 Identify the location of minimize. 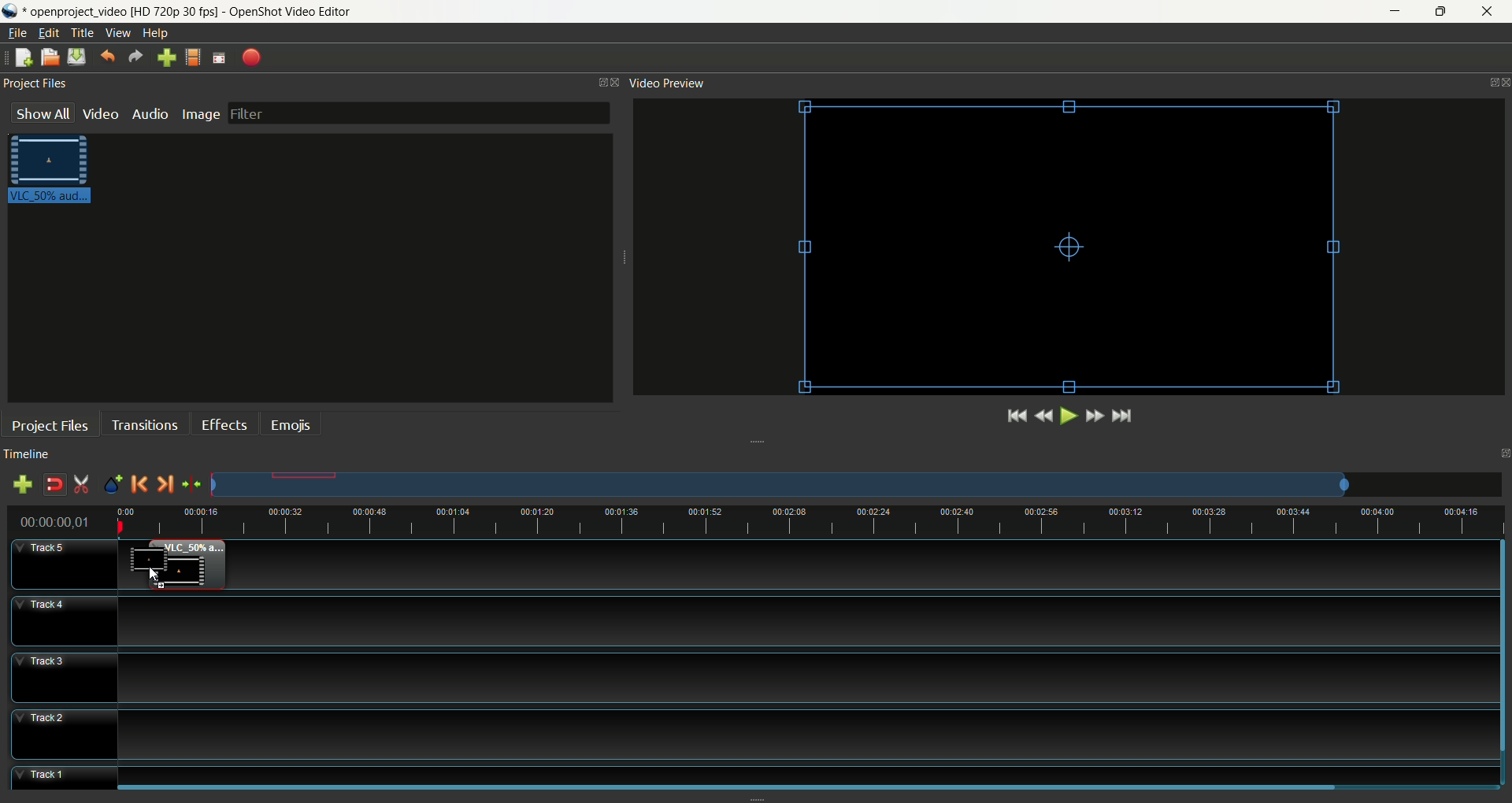
(1397, 10).